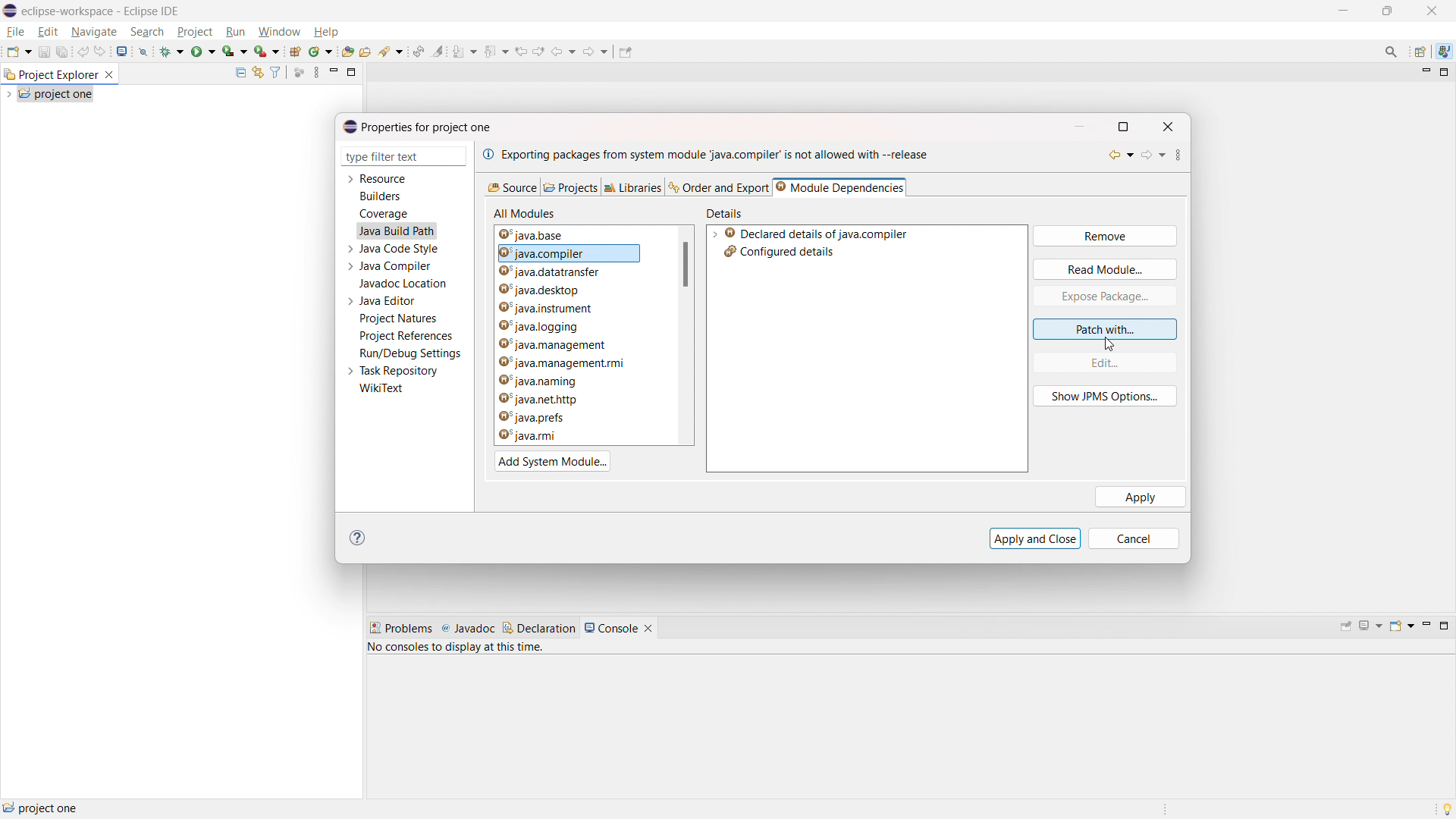  I want to click on maximize, so click(1342, 11).